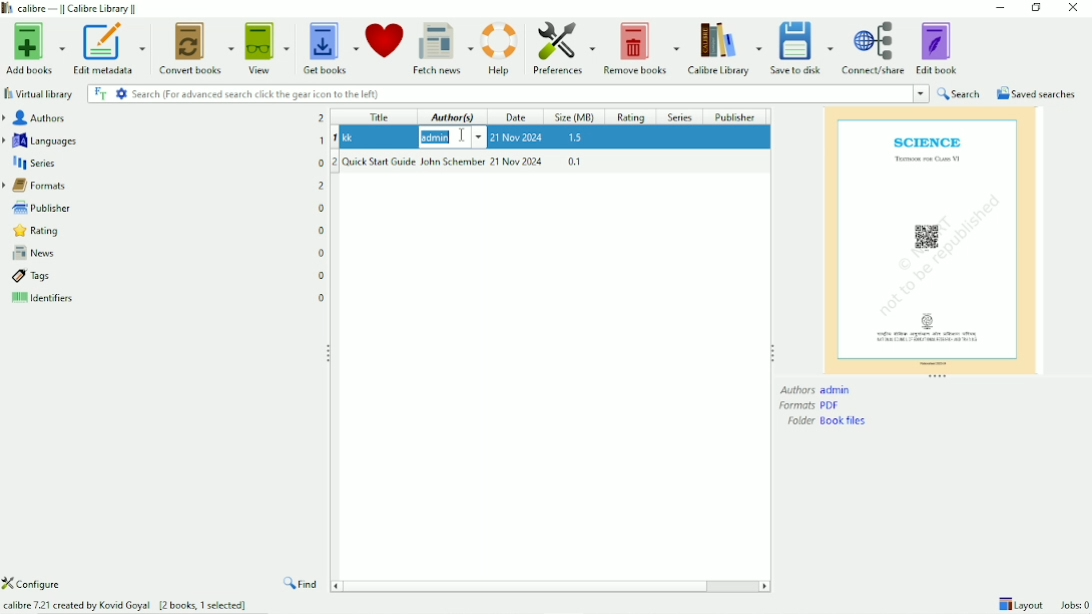 Image resolution: width=1092 pixels, height=614 pixels. I want to click on Authors, so click(816, 389).